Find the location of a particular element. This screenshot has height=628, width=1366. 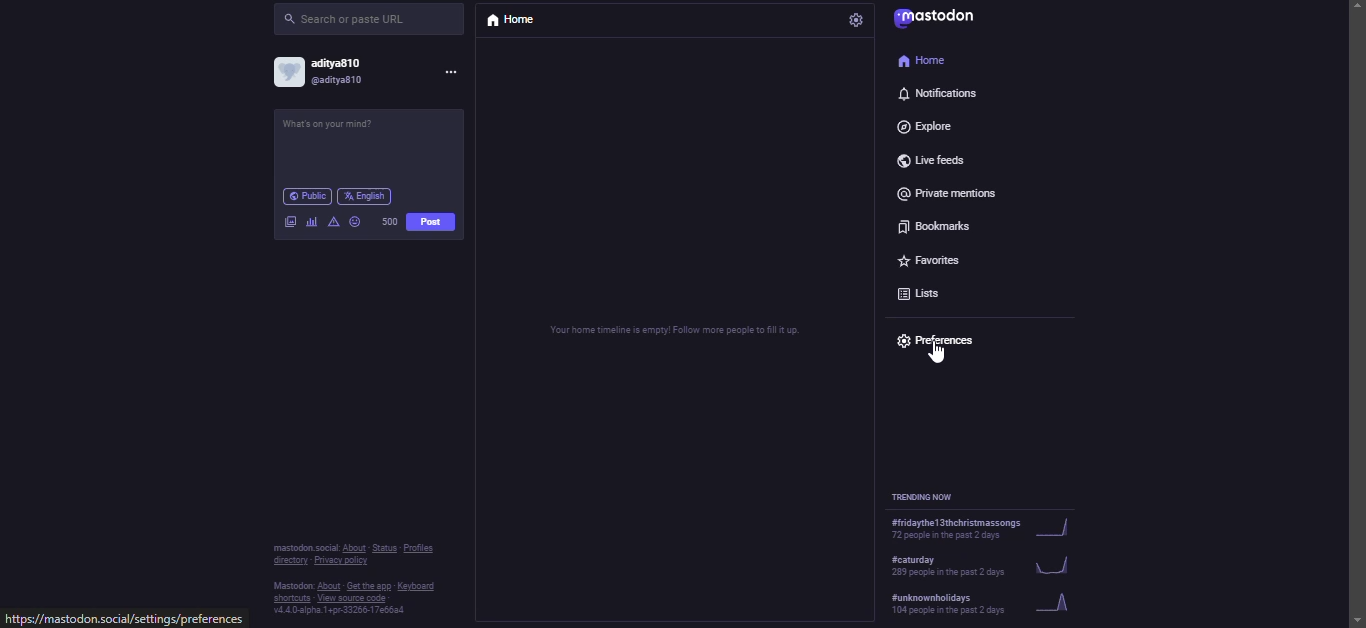

mastodon social: is located at coordinates (306, 548).